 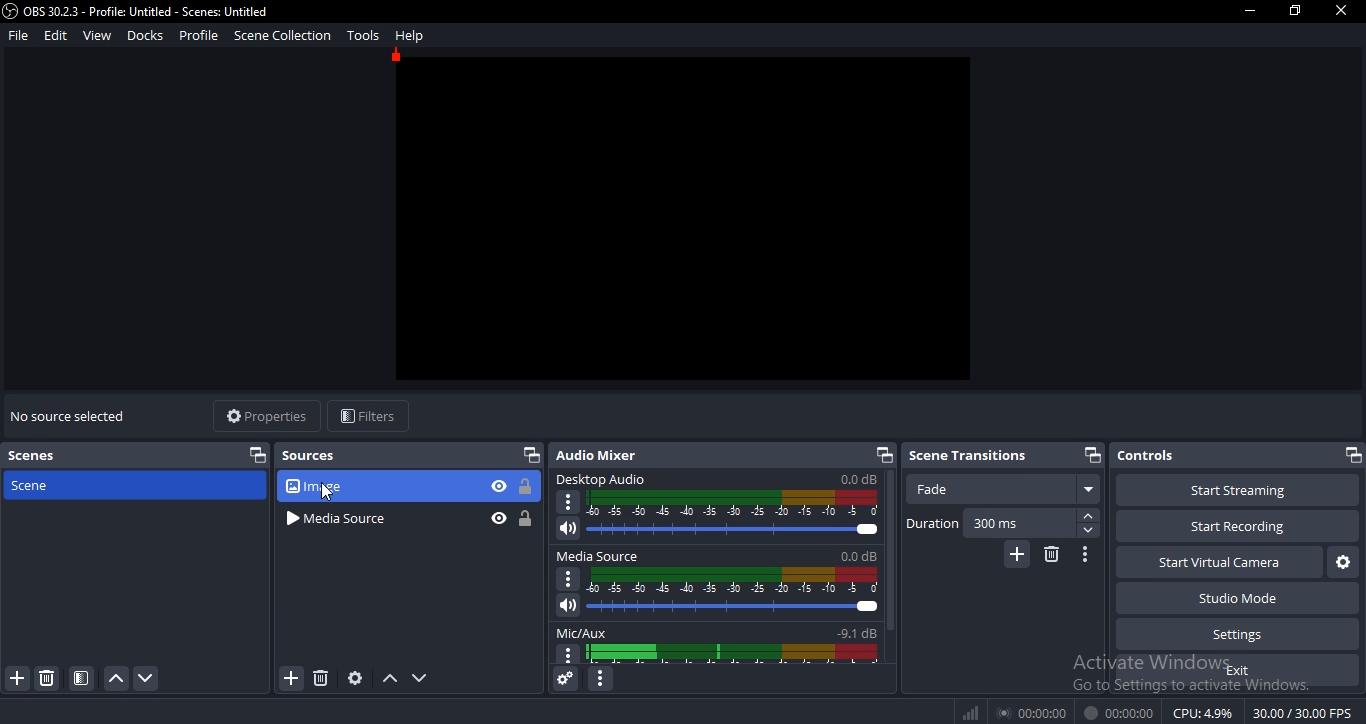 What do you see at coordinates (371, 486) in the screenshot?
I see `image` at bounding box center [371, 486].